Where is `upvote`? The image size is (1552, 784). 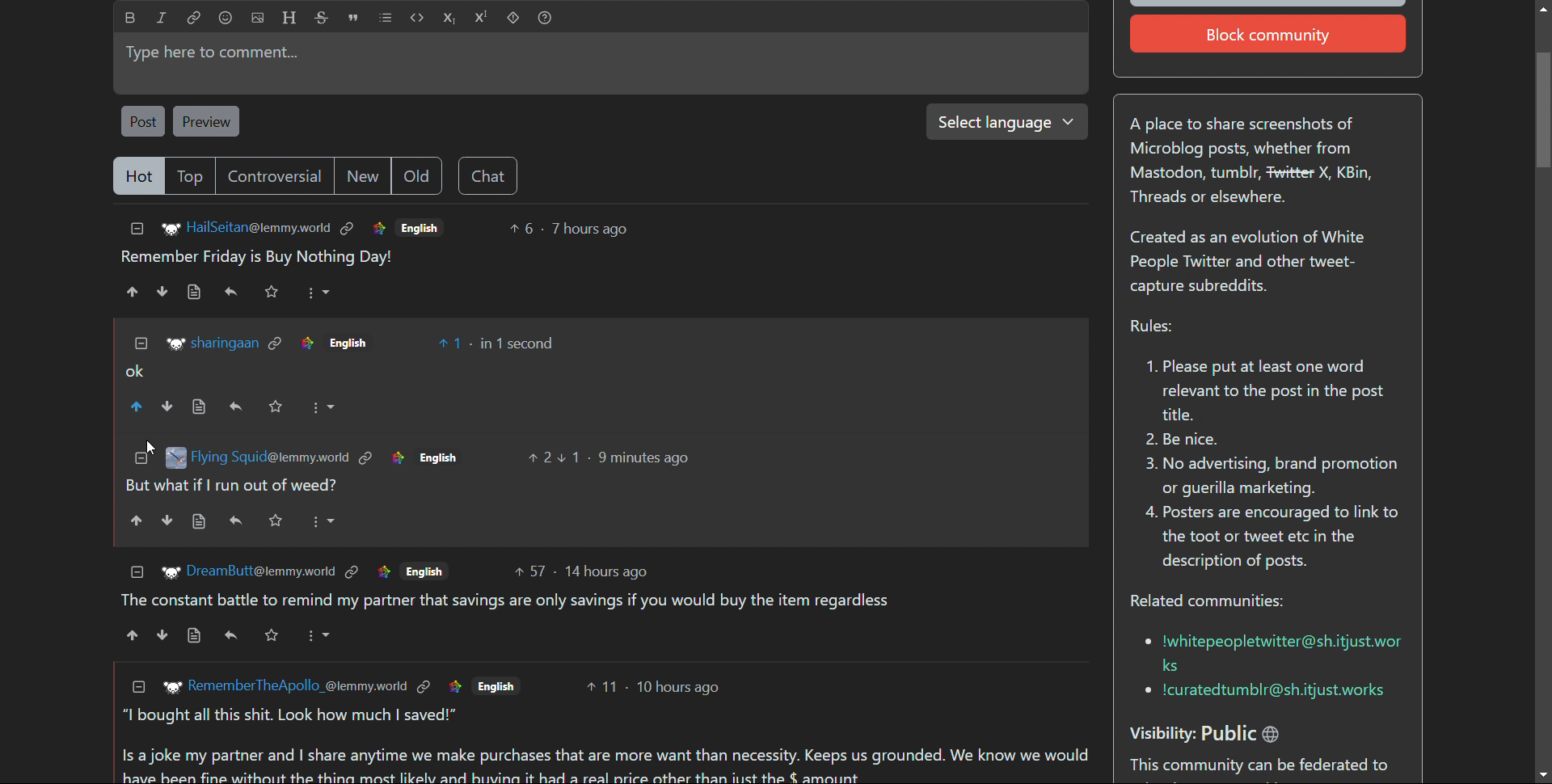 upvote is located at coordinates (133, 634).